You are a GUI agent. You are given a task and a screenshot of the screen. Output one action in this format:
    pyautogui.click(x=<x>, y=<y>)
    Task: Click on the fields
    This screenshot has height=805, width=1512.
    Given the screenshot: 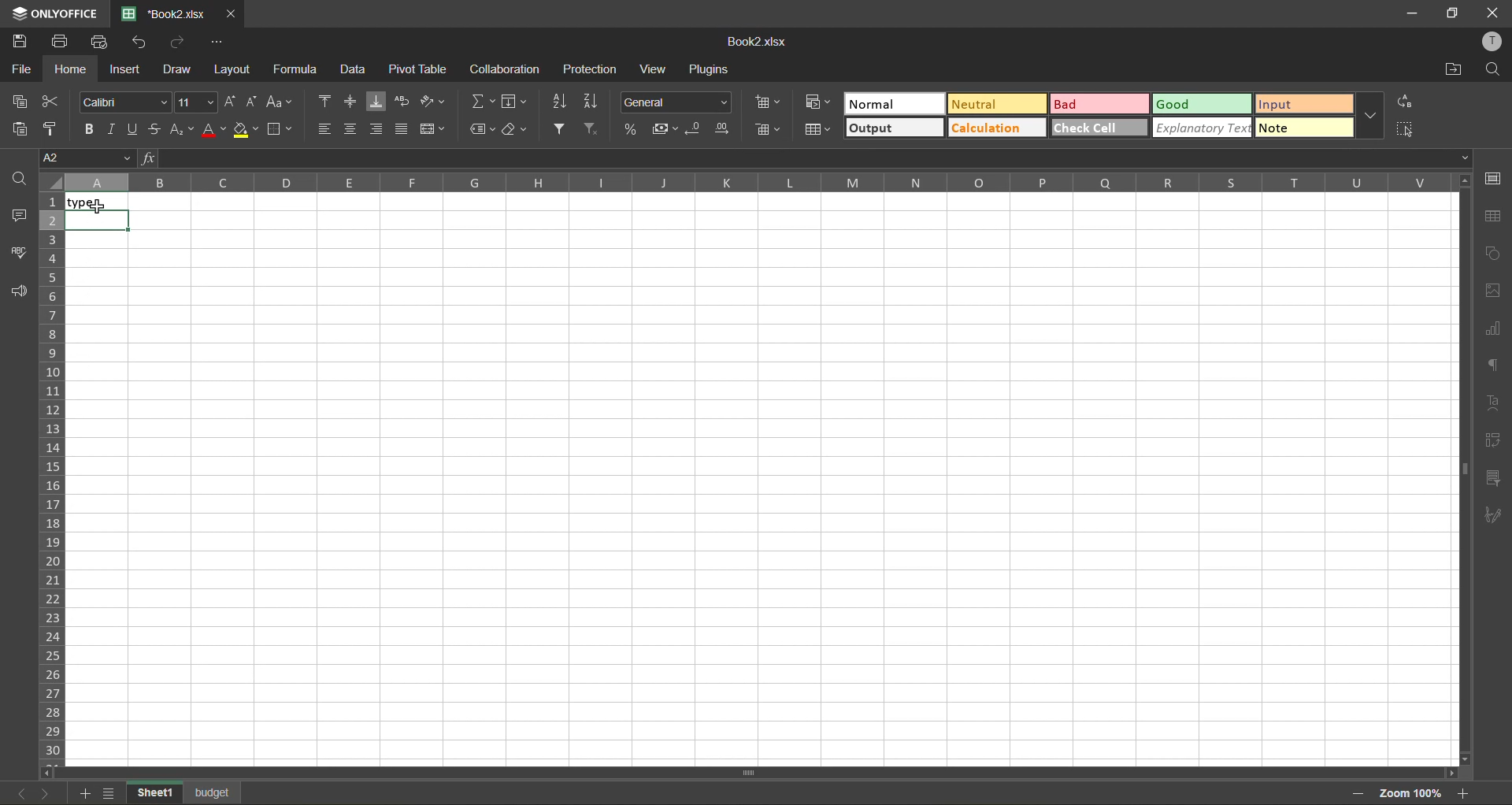 What is the action you would take?
    pyautogui.click(x=517, y=103)
    